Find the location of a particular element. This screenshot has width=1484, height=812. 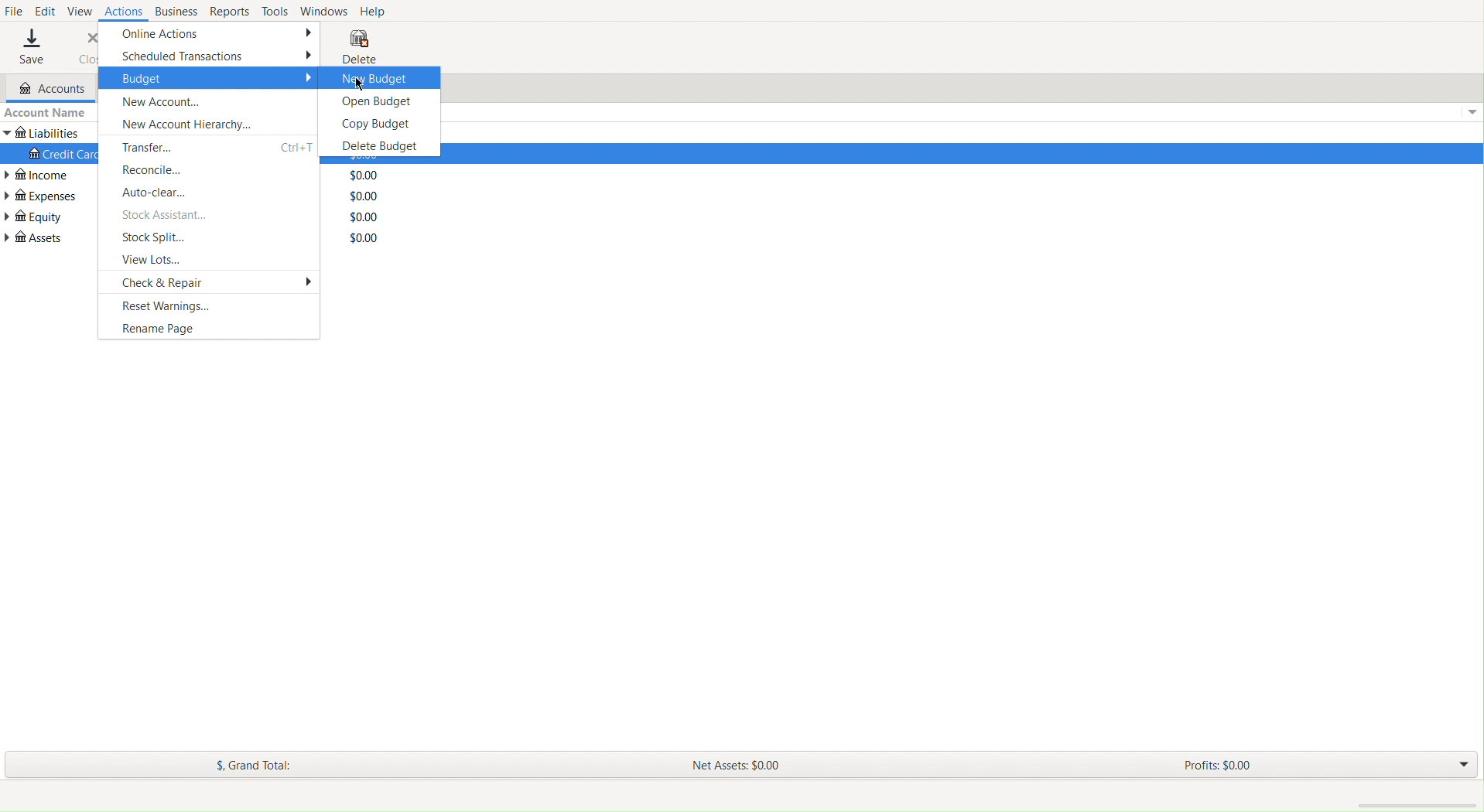

New Account is located at coordinates (167, 100).